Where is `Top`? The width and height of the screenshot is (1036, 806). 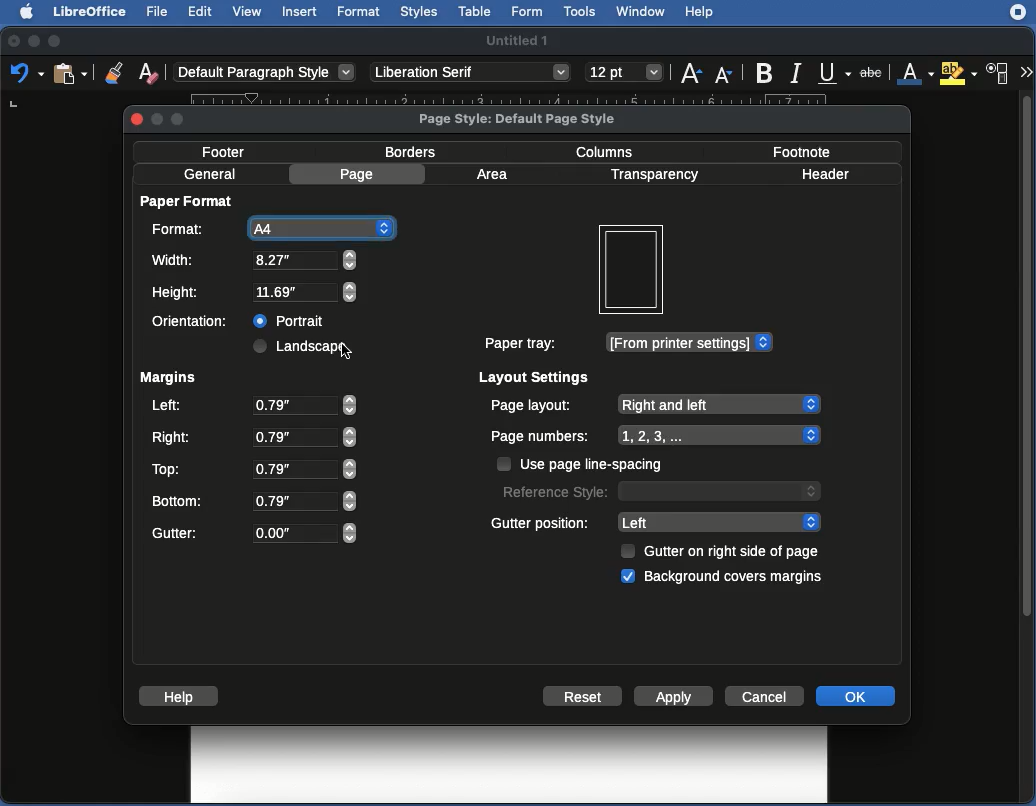 Top is located at coordinates (167, 469).